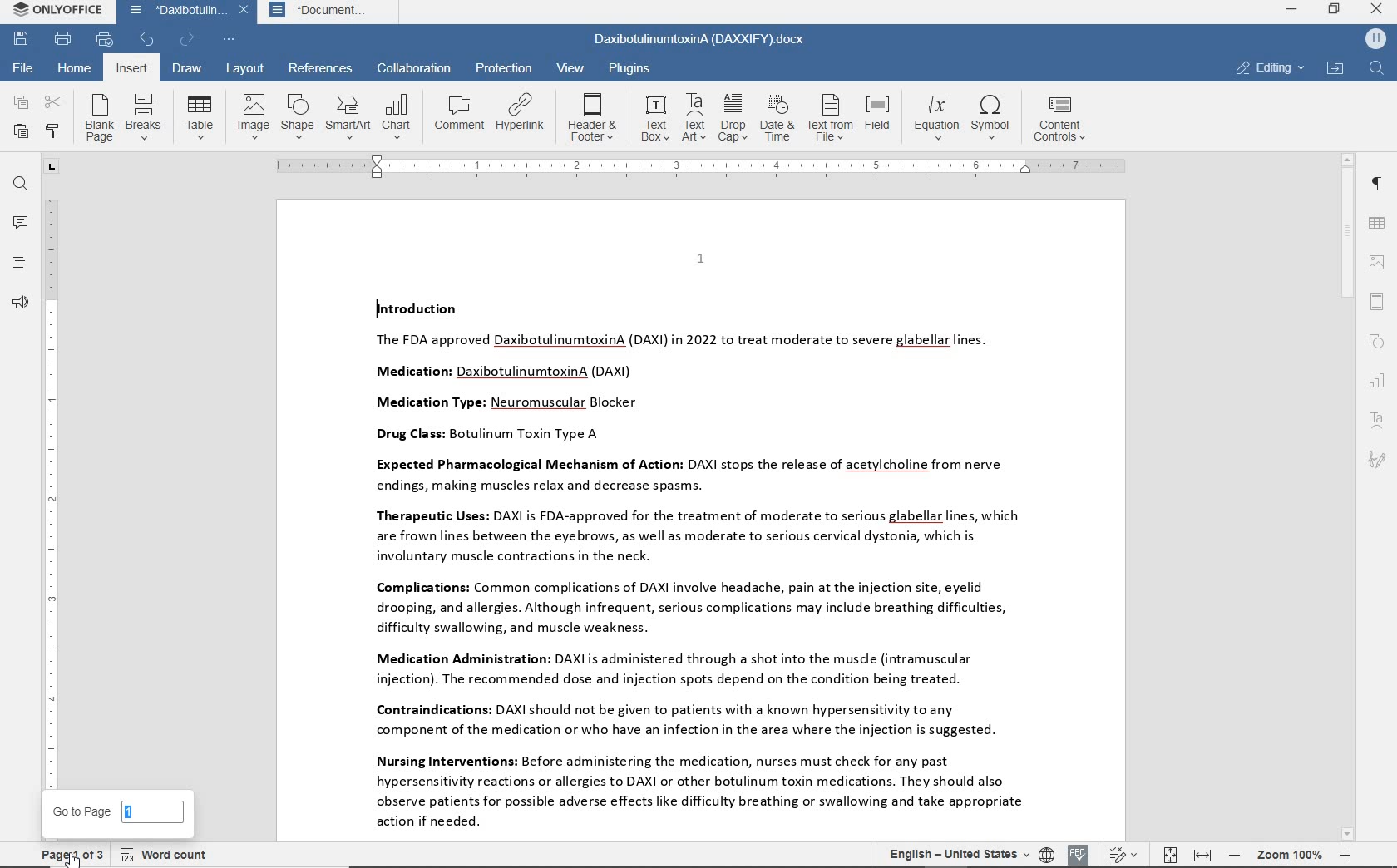 This screenshot has width=1397, height=868. Describe the element at coordinates (1335, 69) in the screenshot. I see `open file location` at that location.